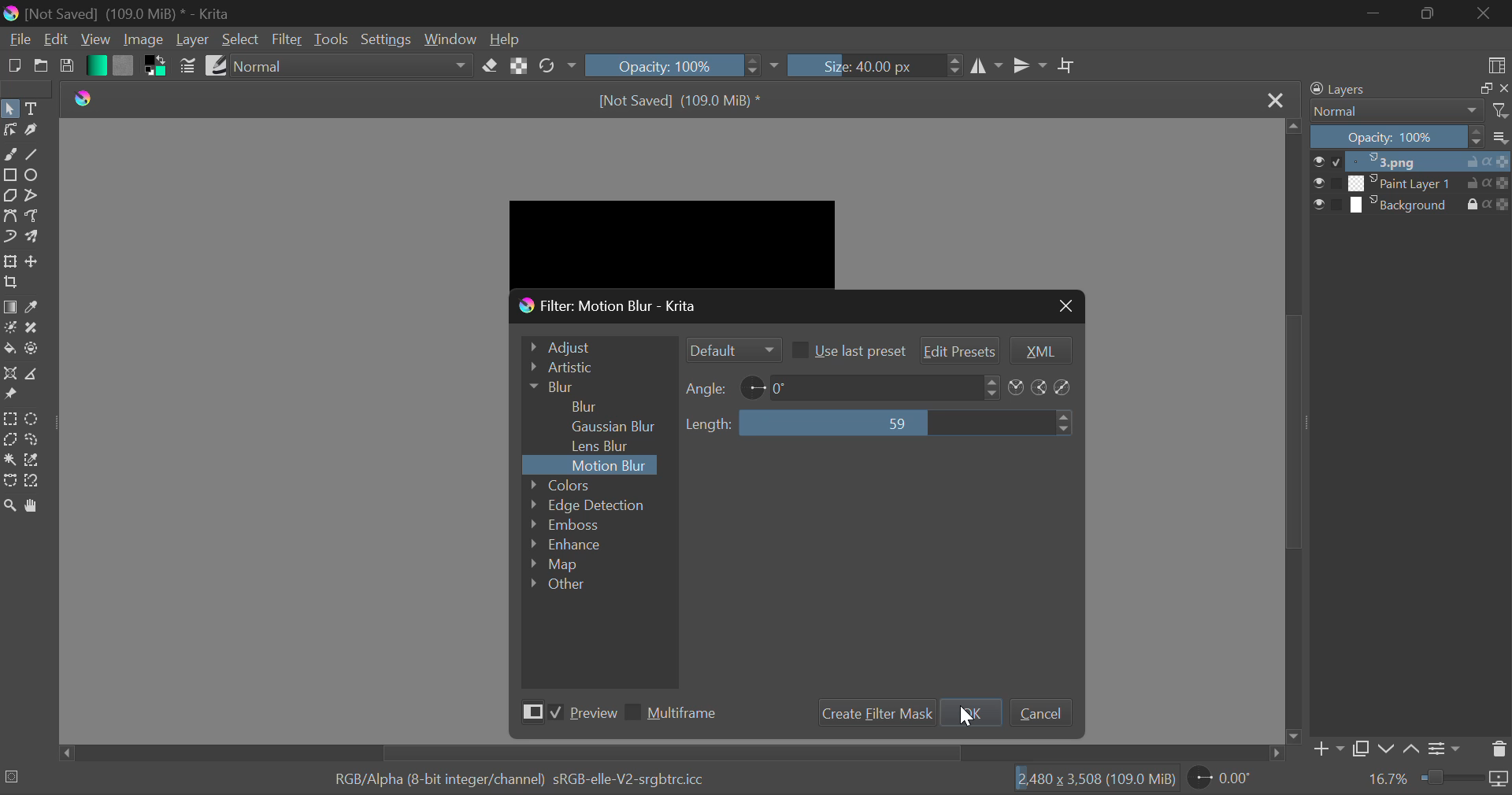  What do you see at coordinates (506, 776) in the screenshot?
I see `RGB/Alpha (8-bit integer/channel) sRGB-elle-V2-srgbtrc.icc` at bounding box center [506, 776].